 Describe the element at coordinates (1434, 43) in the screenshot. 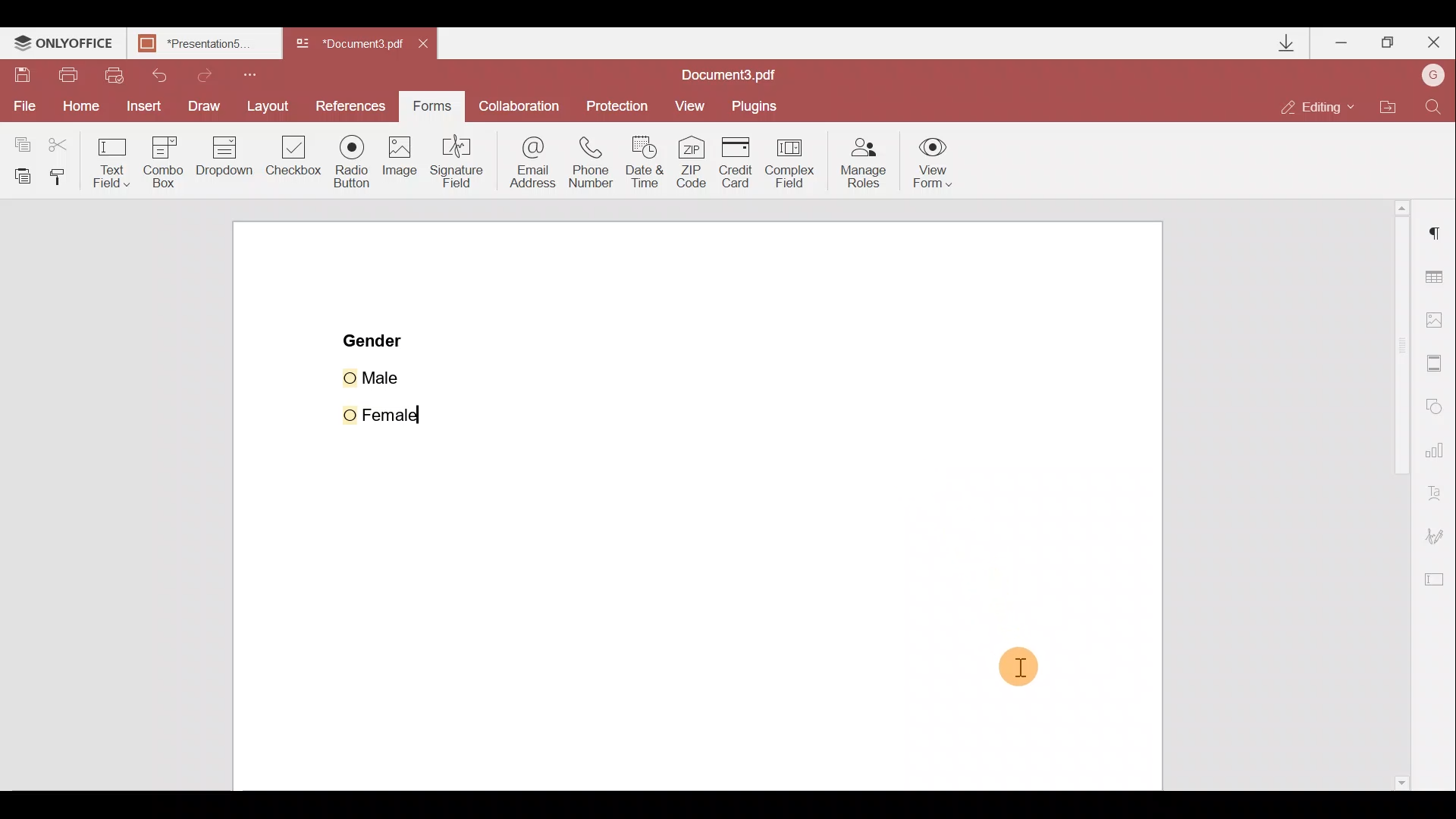

I see `Close` at that location.